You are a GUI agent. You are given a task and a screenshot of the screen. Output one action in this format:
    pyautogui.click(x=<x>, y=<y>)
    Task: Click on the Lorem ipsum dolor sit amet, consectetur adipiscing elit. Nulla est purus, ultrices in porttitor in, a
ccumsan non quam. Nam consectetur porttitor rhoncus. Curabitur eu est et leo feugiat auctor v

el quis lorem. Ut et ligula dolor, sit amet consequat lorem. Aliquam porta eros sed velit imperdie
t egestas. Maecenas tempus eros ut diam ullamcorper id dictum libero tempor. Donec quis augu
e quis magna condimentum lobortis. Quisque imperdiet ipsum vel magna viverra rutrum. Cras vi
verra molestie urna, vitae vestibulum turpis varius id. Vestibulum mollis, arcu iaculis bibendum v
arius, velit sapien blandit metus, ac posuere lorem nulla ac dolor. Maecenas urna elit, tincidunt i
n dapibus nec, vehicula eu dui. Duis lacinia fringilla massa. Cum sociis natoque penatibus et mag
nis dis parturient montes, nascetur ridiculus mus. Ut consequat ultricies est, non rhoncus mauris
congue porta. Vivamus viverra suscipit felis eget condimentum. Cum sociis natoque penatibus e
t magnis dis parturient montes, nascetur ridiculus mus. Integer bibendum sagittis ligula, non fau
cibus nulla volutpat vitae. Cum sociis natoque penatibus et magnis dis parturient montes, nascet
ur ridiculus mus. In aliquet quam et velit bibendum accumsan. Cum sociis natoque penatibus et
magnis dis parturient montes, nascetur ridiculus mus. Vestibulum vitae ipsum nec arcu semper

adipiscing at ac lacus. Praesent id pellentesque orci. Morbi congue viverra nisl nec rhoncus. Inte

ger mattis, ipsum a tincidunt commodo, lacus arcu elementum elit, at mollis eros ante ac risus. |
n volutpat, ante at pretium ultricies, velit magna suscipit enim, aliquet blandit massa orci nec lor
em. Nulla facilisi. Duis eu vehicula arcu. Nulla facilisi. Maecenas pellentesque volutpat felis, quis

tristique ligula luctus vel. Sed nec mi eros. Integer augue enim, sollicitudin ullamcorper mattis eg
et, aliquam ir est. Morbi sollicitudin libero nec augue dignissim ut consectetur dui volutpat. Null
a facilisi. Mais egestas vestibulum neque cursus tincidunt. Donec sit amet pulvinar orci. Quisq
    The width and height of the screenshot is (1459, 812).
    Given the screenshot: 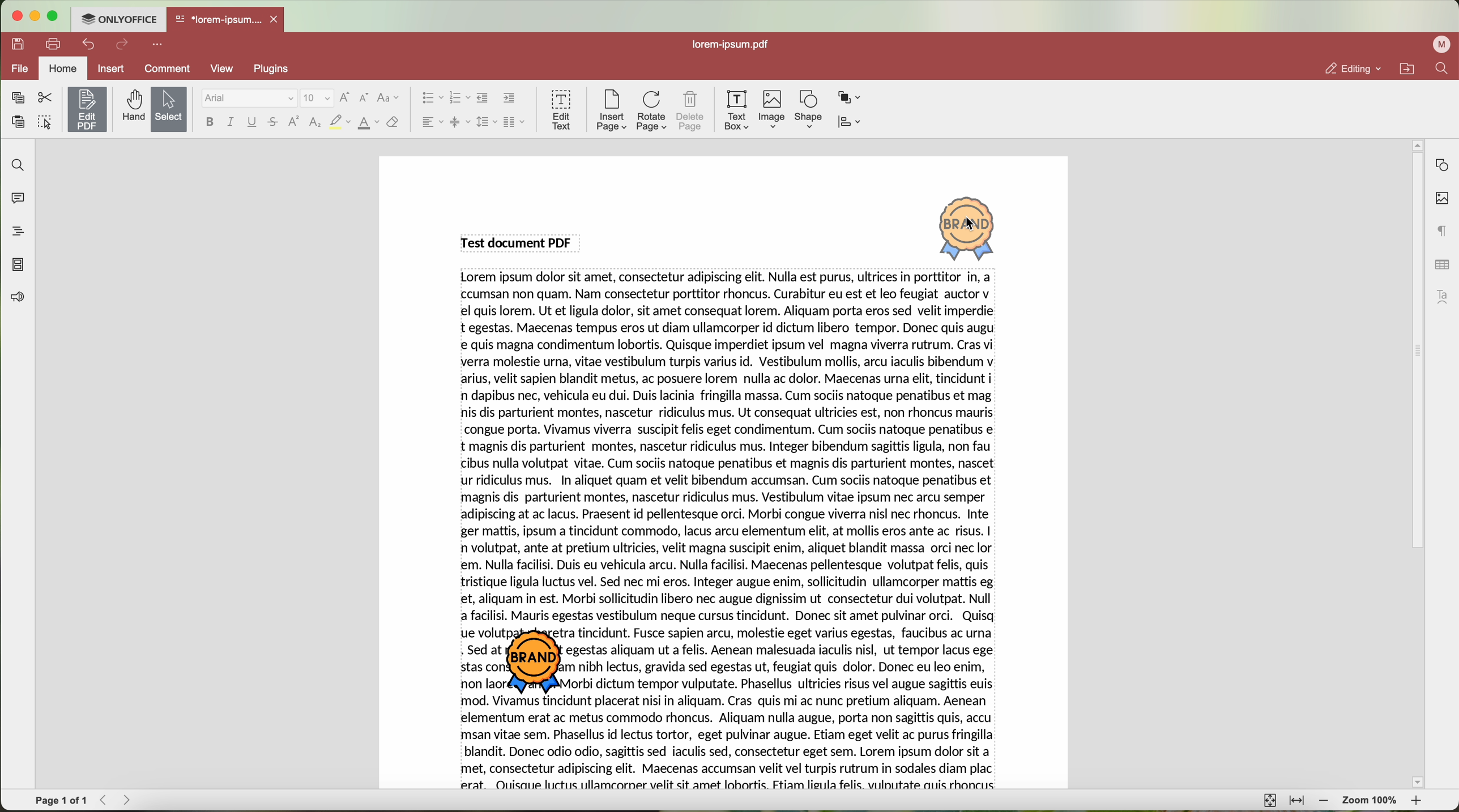 What is the action you would take?
    pyautogui.click(x=731, y=448)
    